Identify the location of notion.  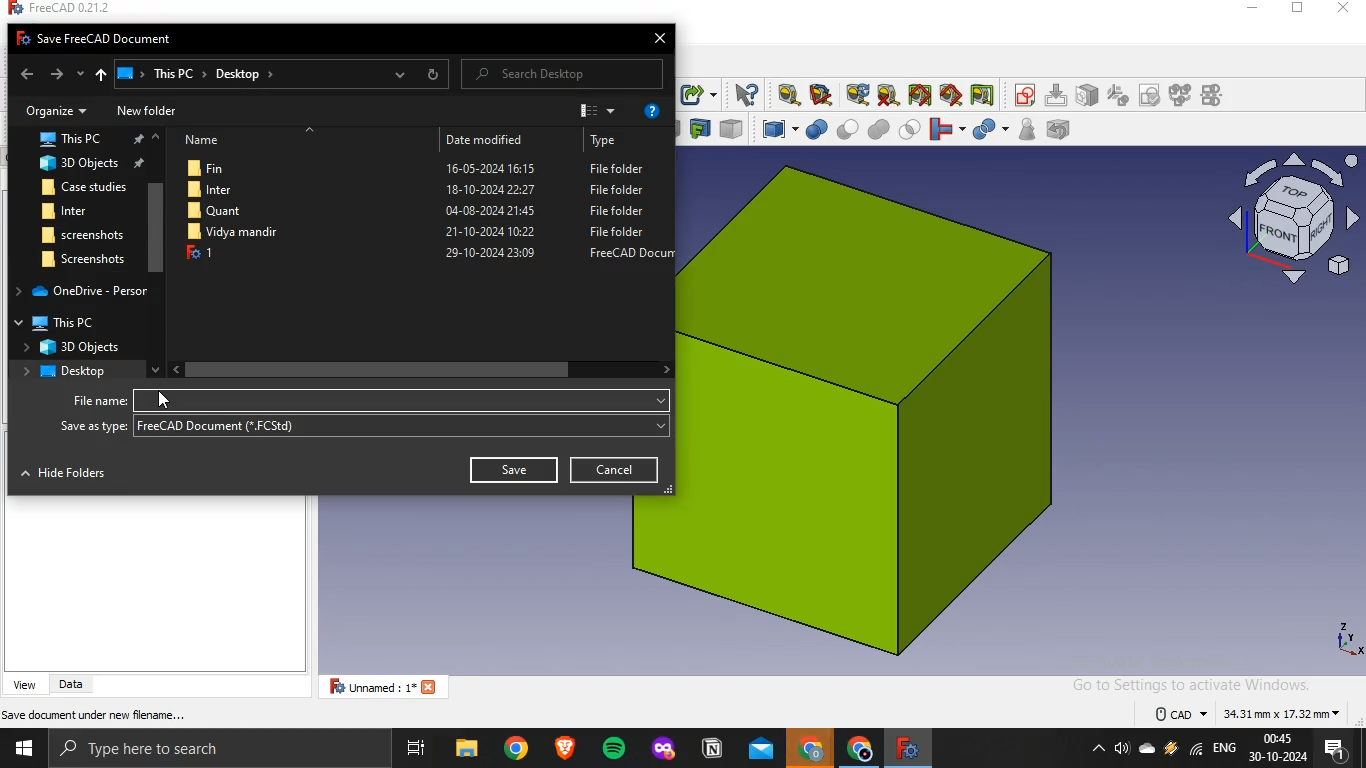
(713, 748).